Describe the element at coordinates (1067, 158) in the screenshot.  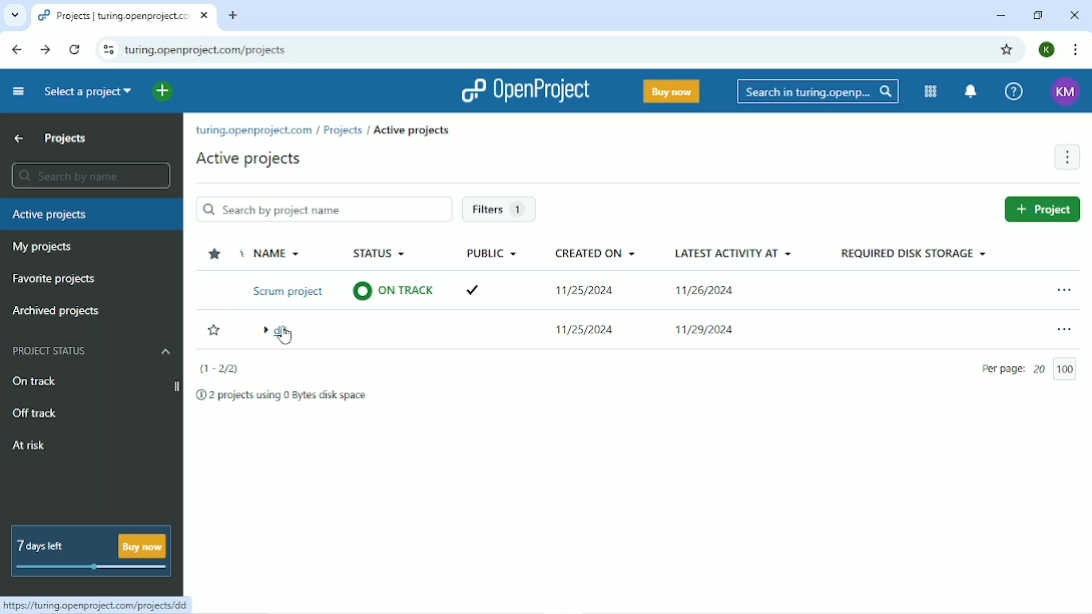
I see `More` at that location.